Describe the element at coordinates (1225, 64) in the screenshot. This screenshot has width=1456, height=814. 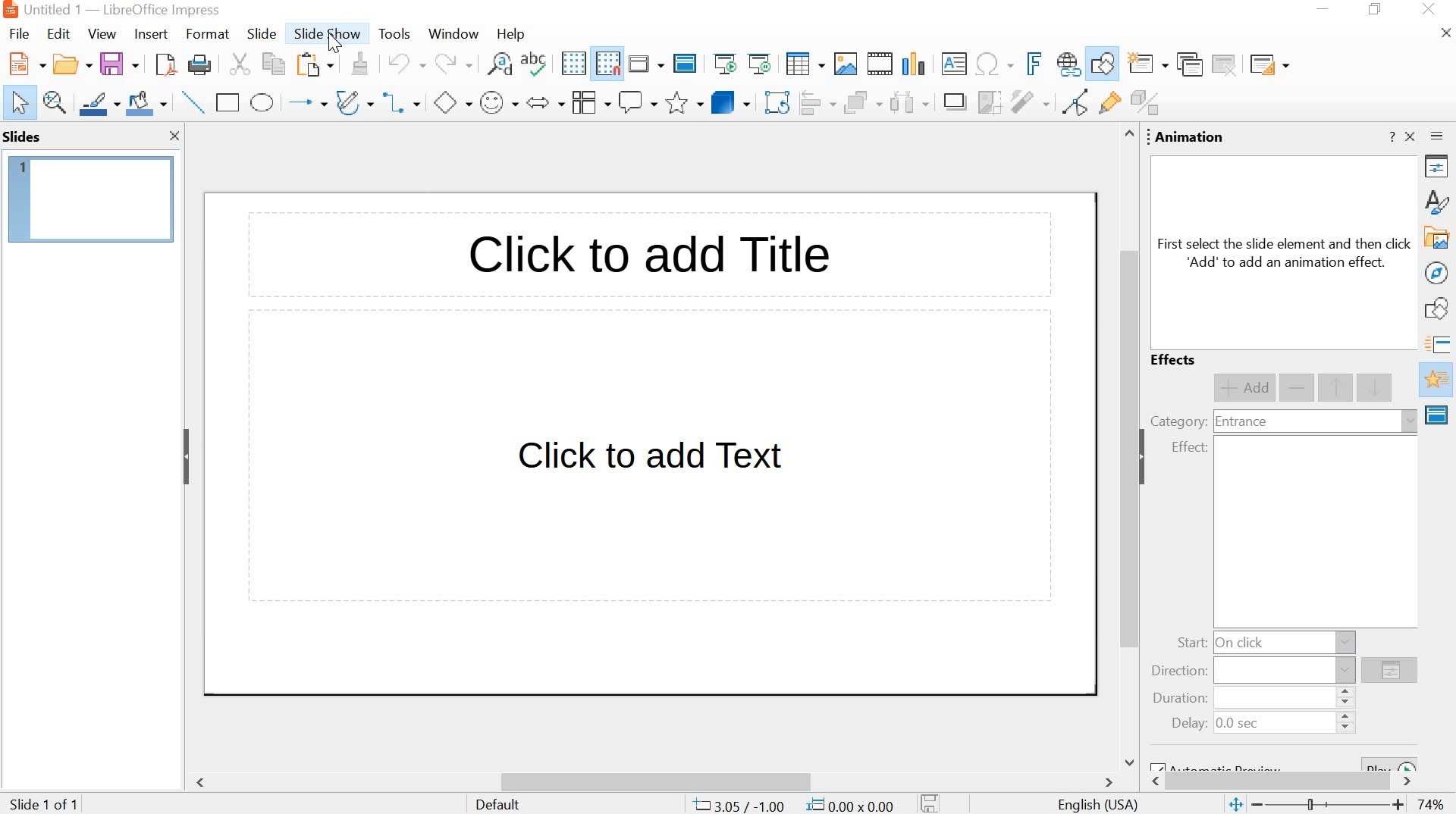
I see `delete slide` at that location.